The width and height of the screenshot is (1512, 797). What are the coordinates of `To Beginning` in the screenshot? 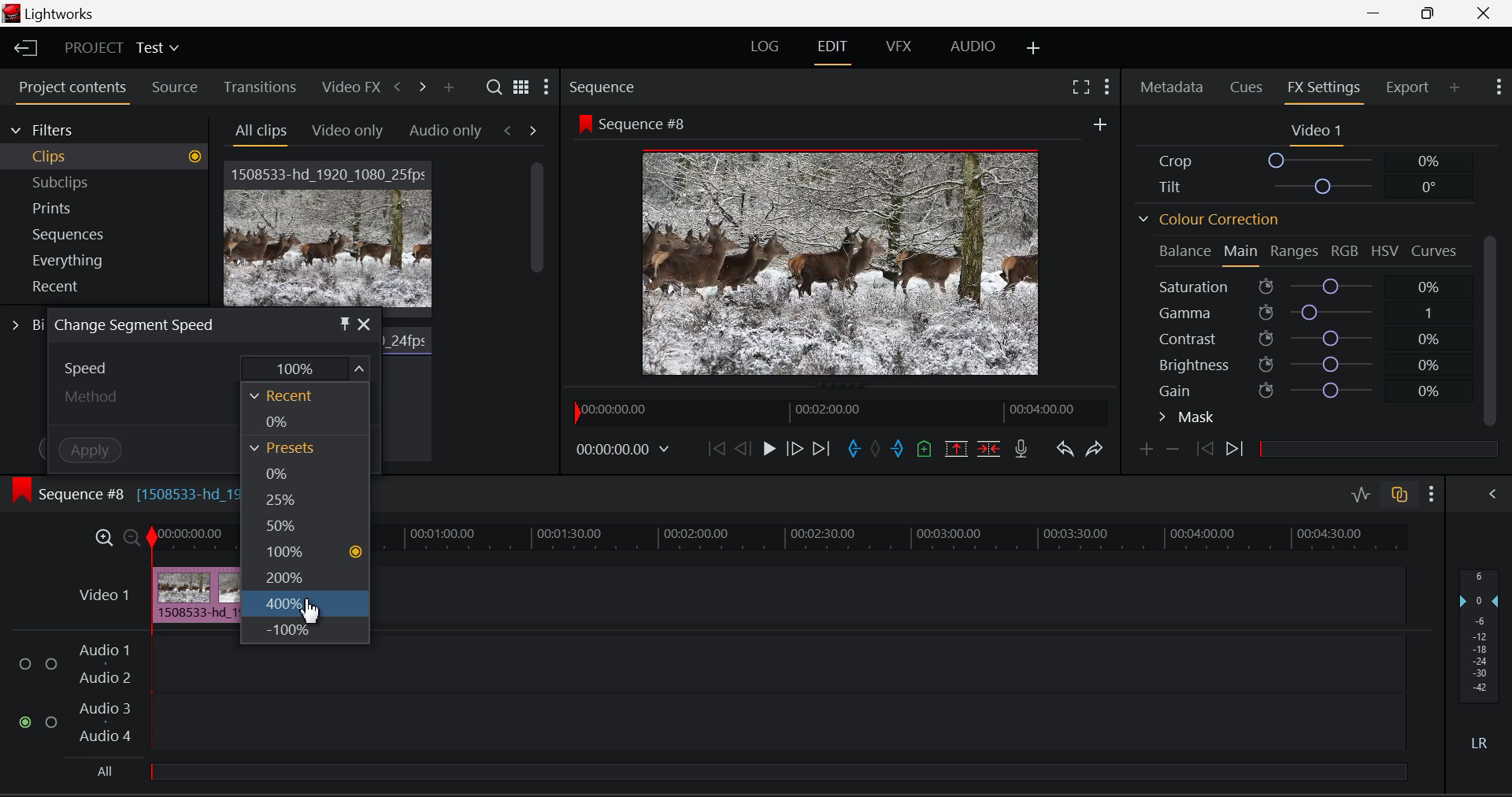 It's located at (714, 450).